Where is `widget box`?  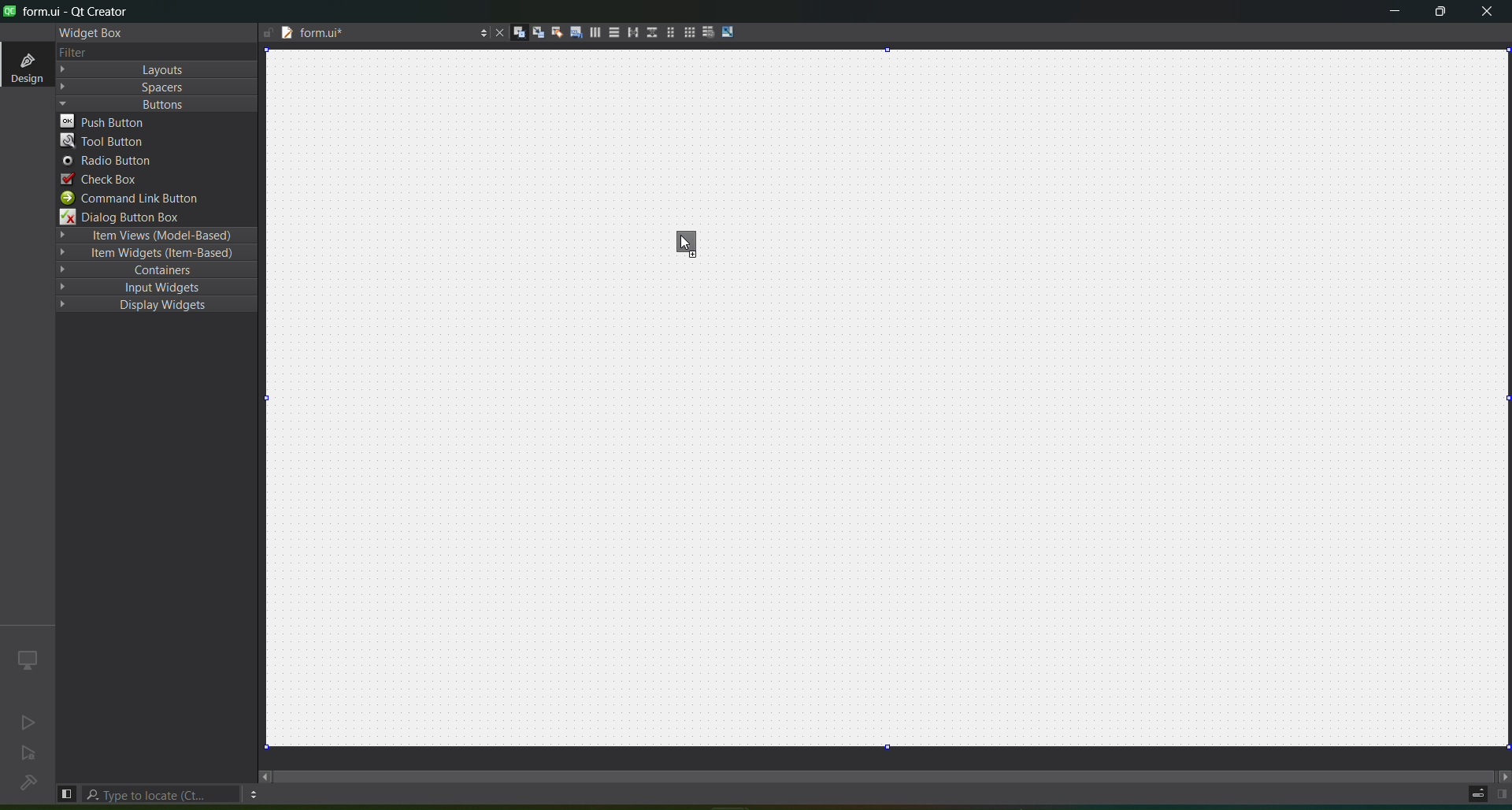 widget box is located at coordinates (95, 35).